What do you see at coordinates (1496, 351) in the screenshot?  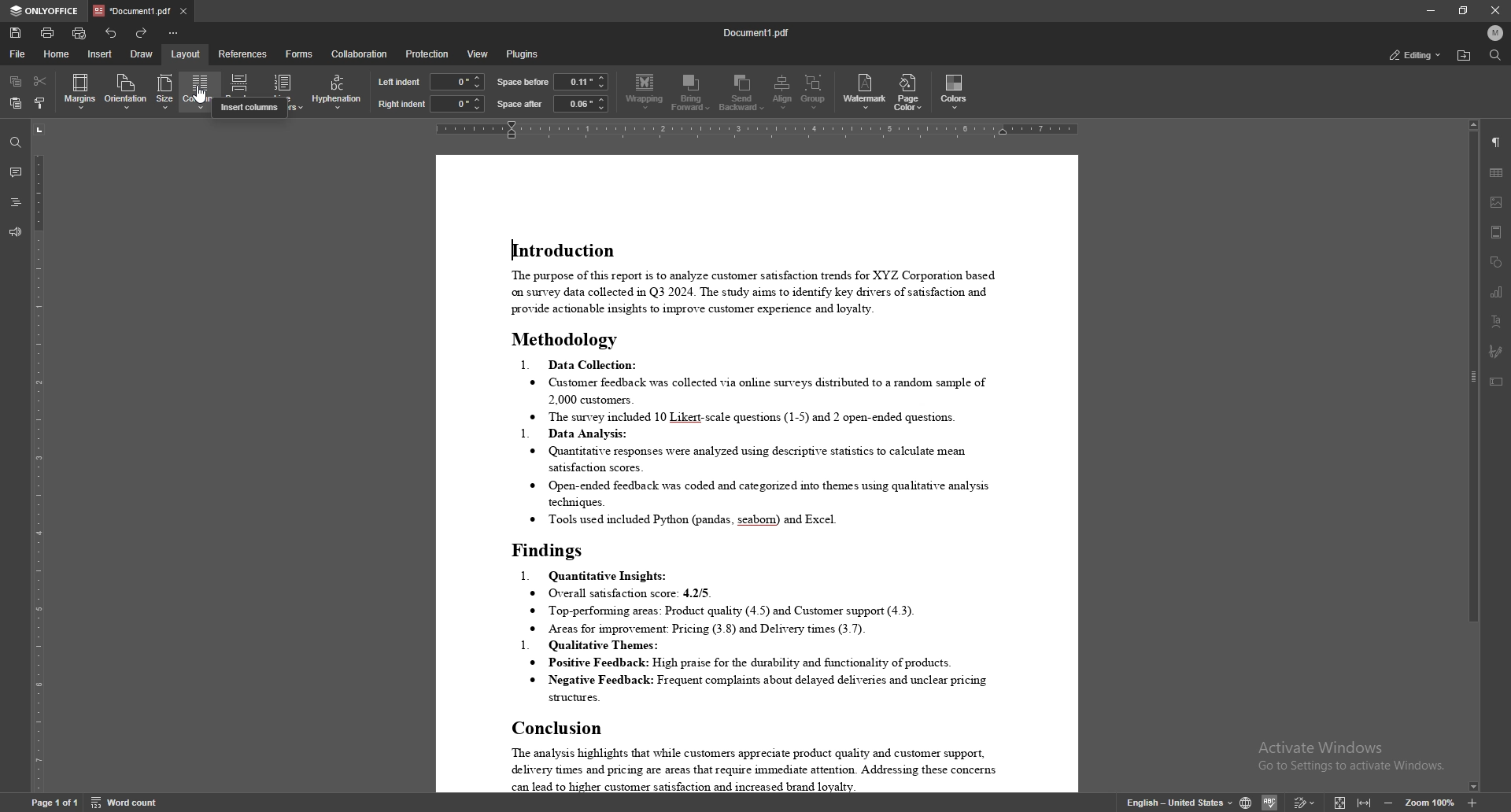 I see `signature field` at bounding box center [1496, 351].